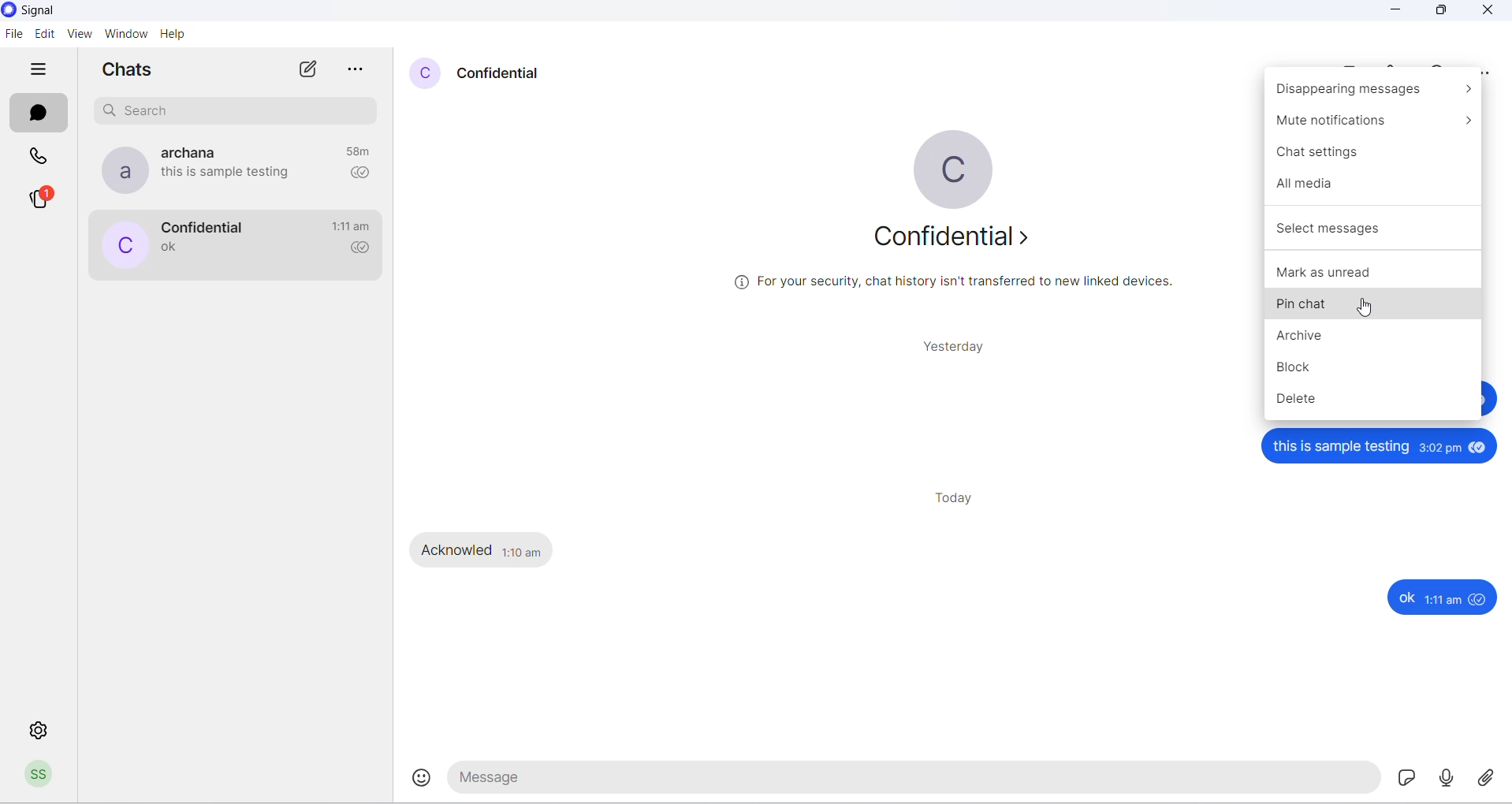  I want to click on new chat, so click(306, 71).